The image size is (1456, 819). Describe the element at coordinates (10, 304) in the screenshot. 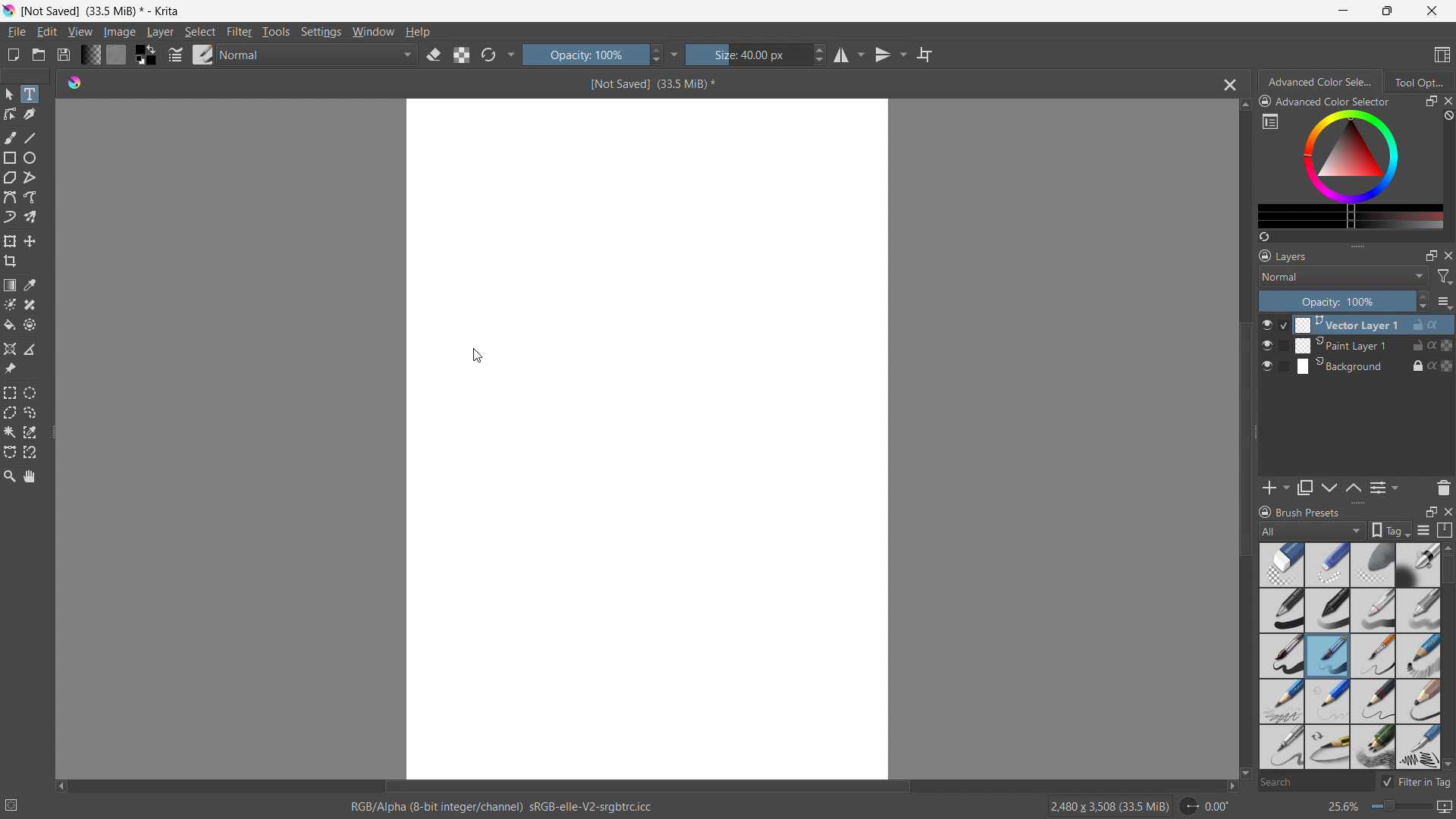

I see `colorize mask tool` at that location.